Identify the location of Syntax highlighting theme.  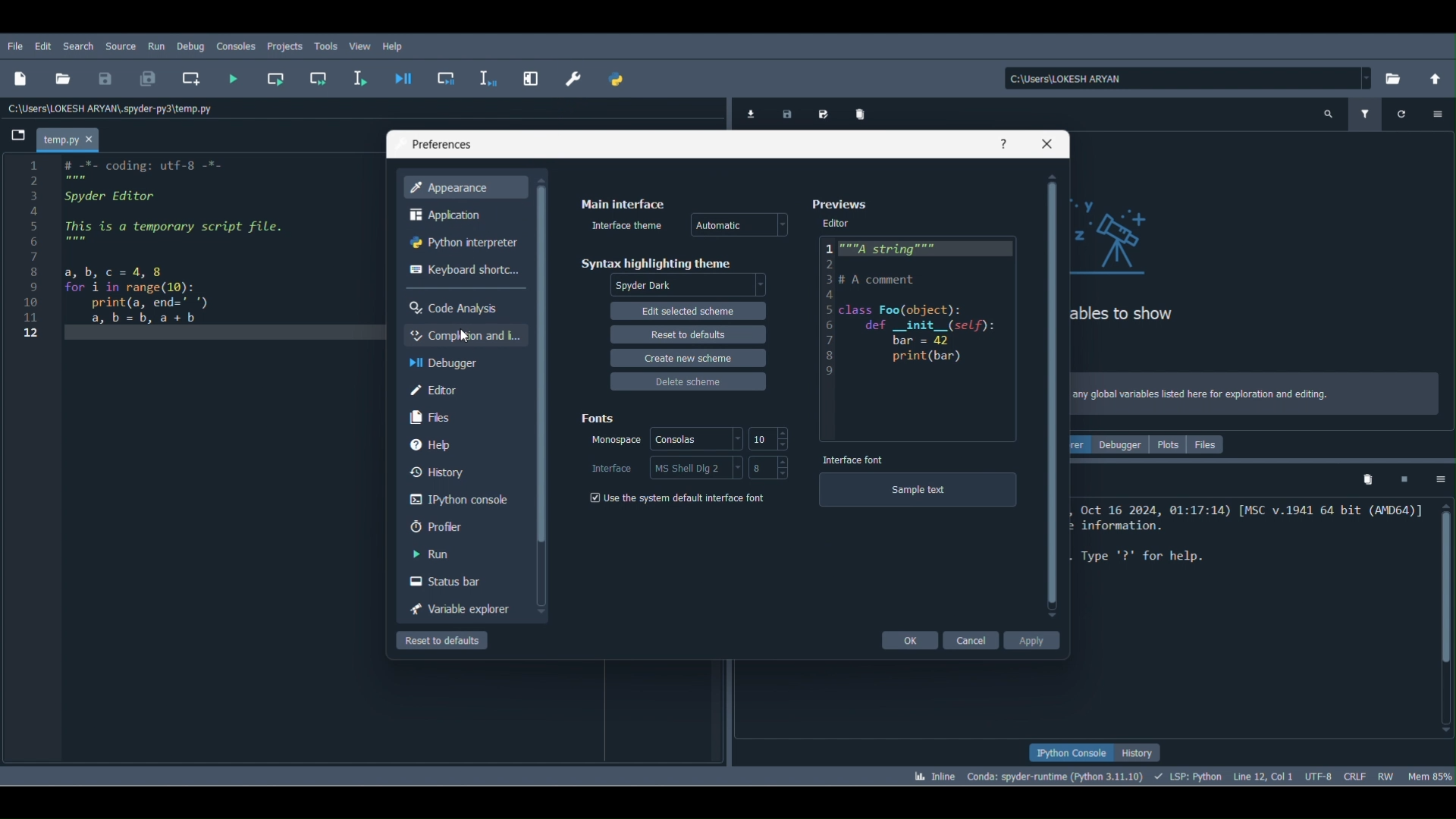
(664, 262).